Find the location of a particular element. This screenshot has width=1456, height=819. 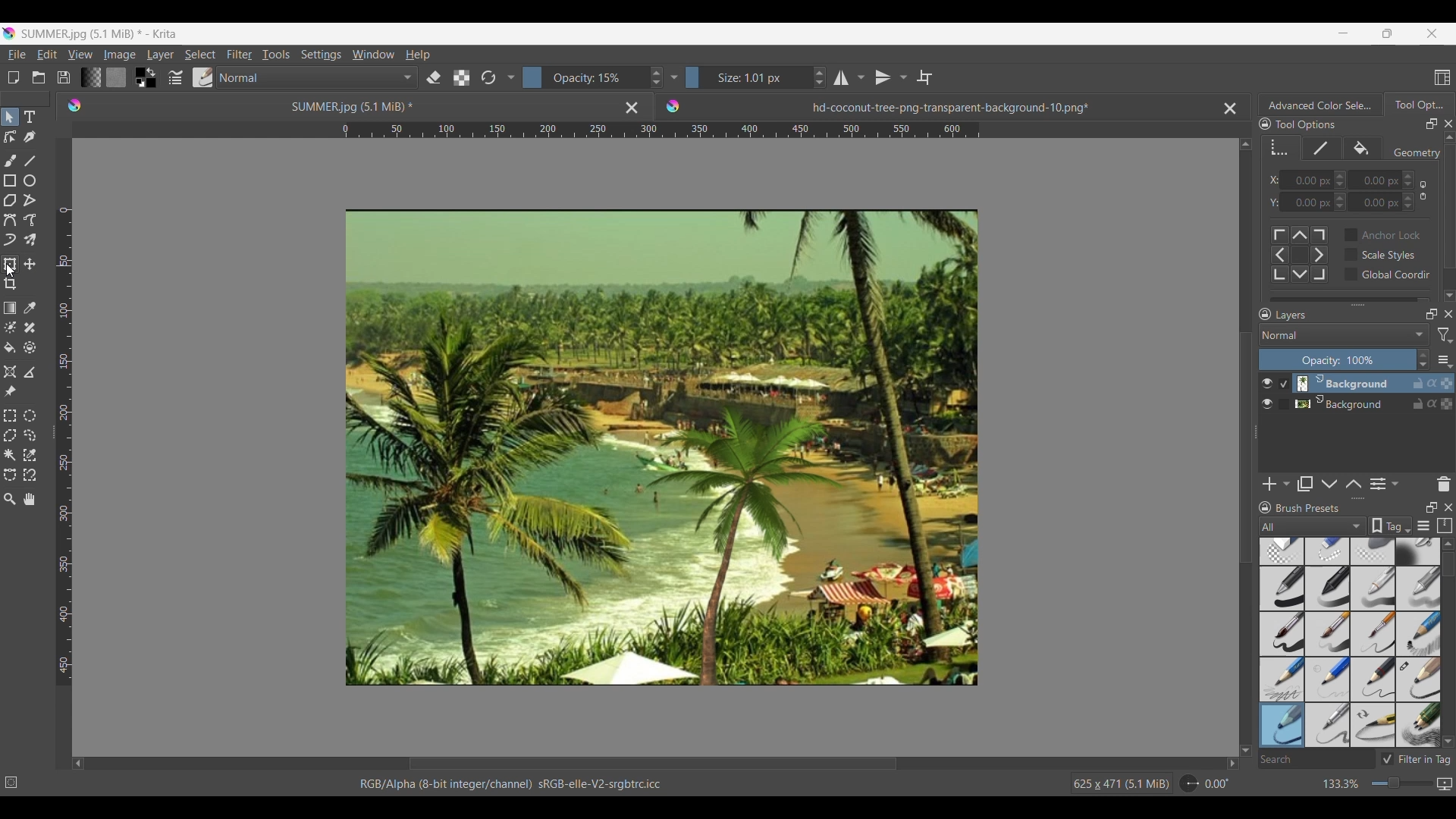

Thumbnail size options is located at coordinates (1445, 359).